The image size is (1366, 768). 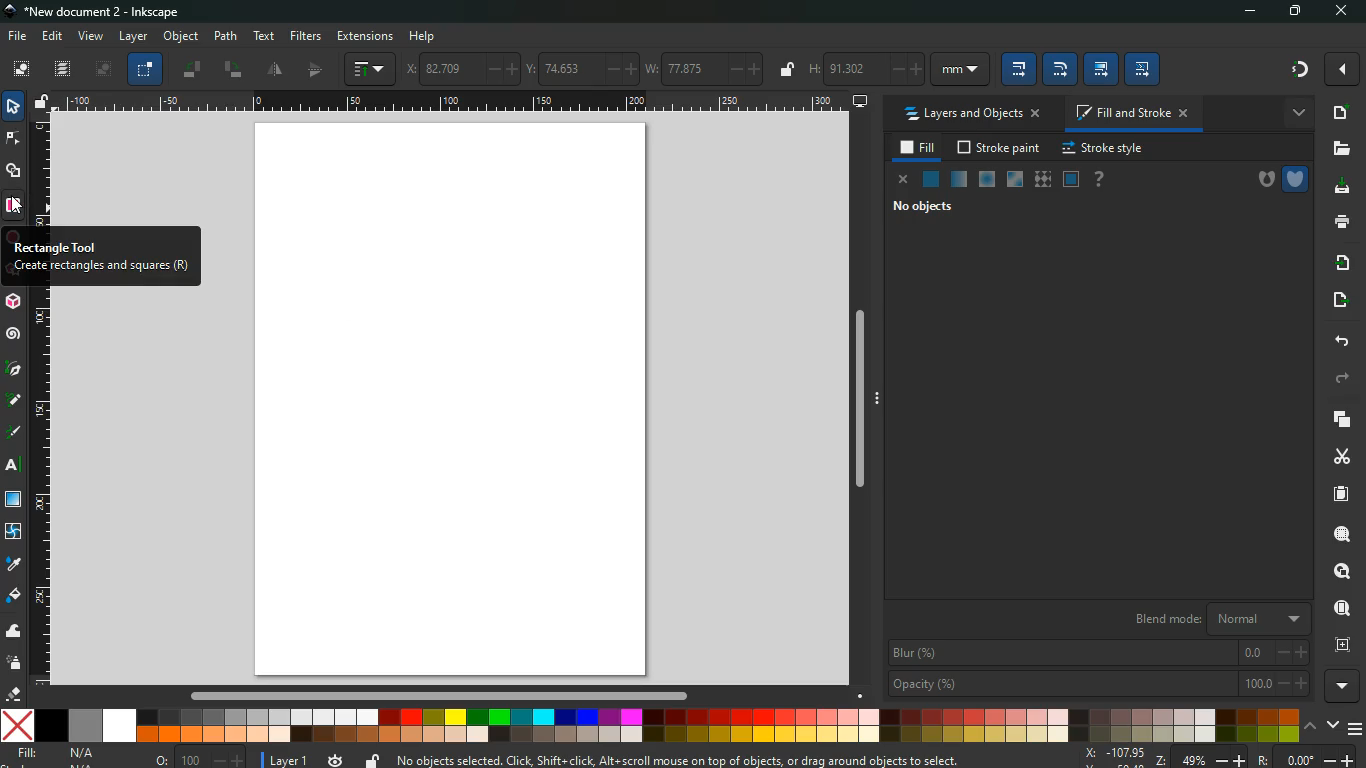 I want to click on close, so click(x=901, y=181).